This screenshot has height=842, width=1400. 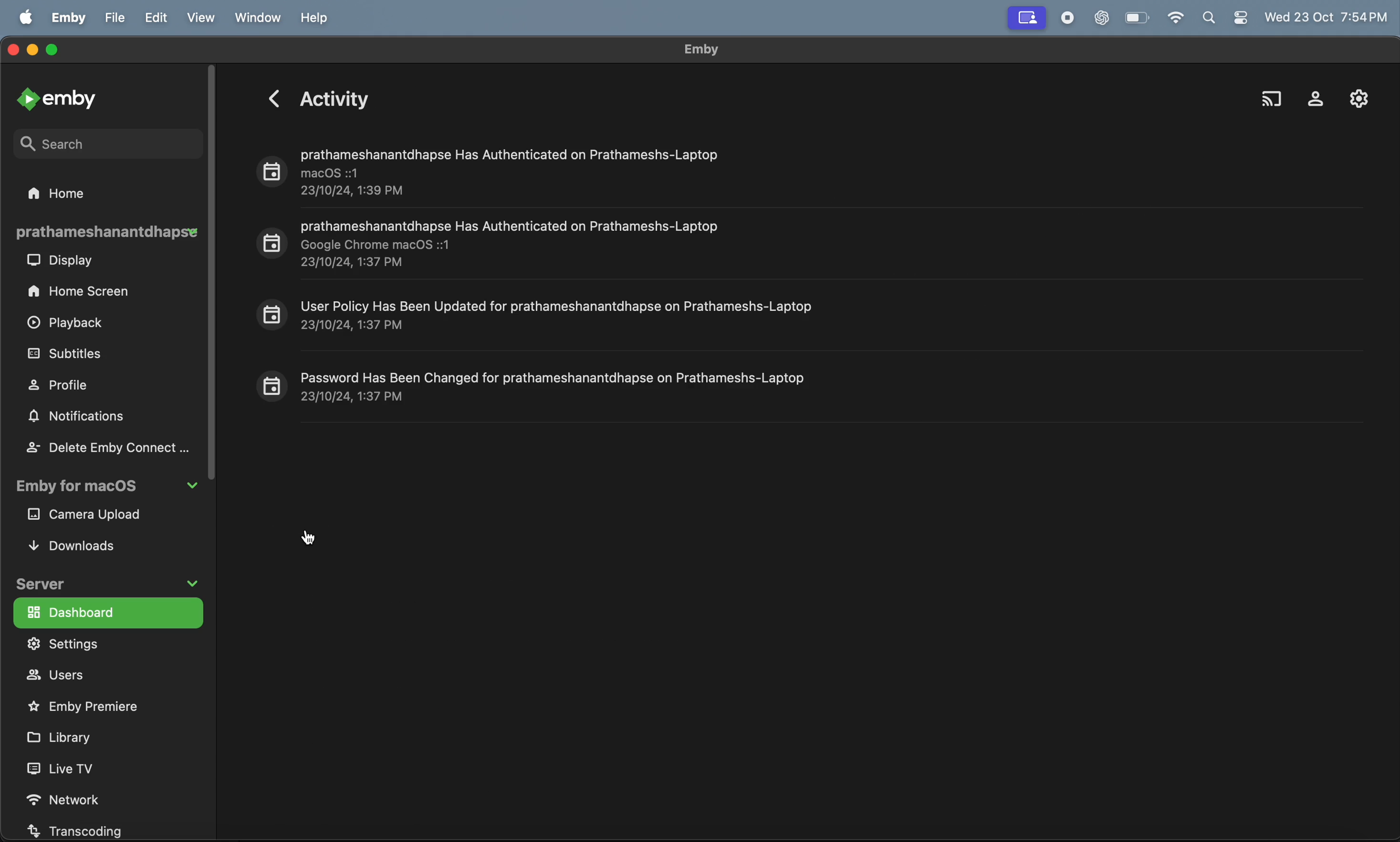 What do you see at coordinates (540, 314) in the screenshot?
I see `8 User Policy Has Been Updated for prathameshanantdhapse on Prathameshs-Laptop
23/10/24, 1:37 PM` at bounding box center [540, 314].